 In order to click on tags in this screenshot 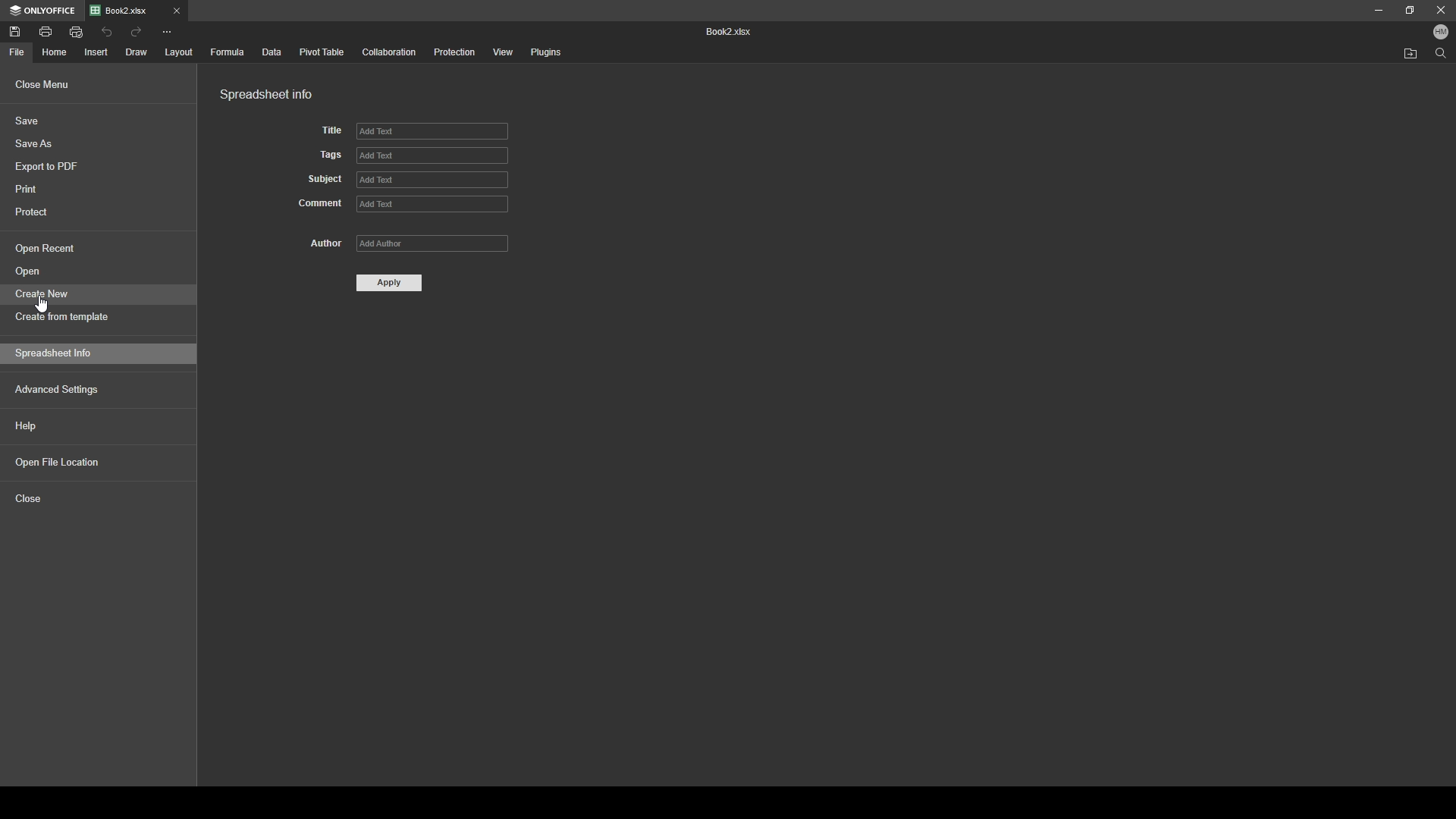, I will do `click(331, 155)`.